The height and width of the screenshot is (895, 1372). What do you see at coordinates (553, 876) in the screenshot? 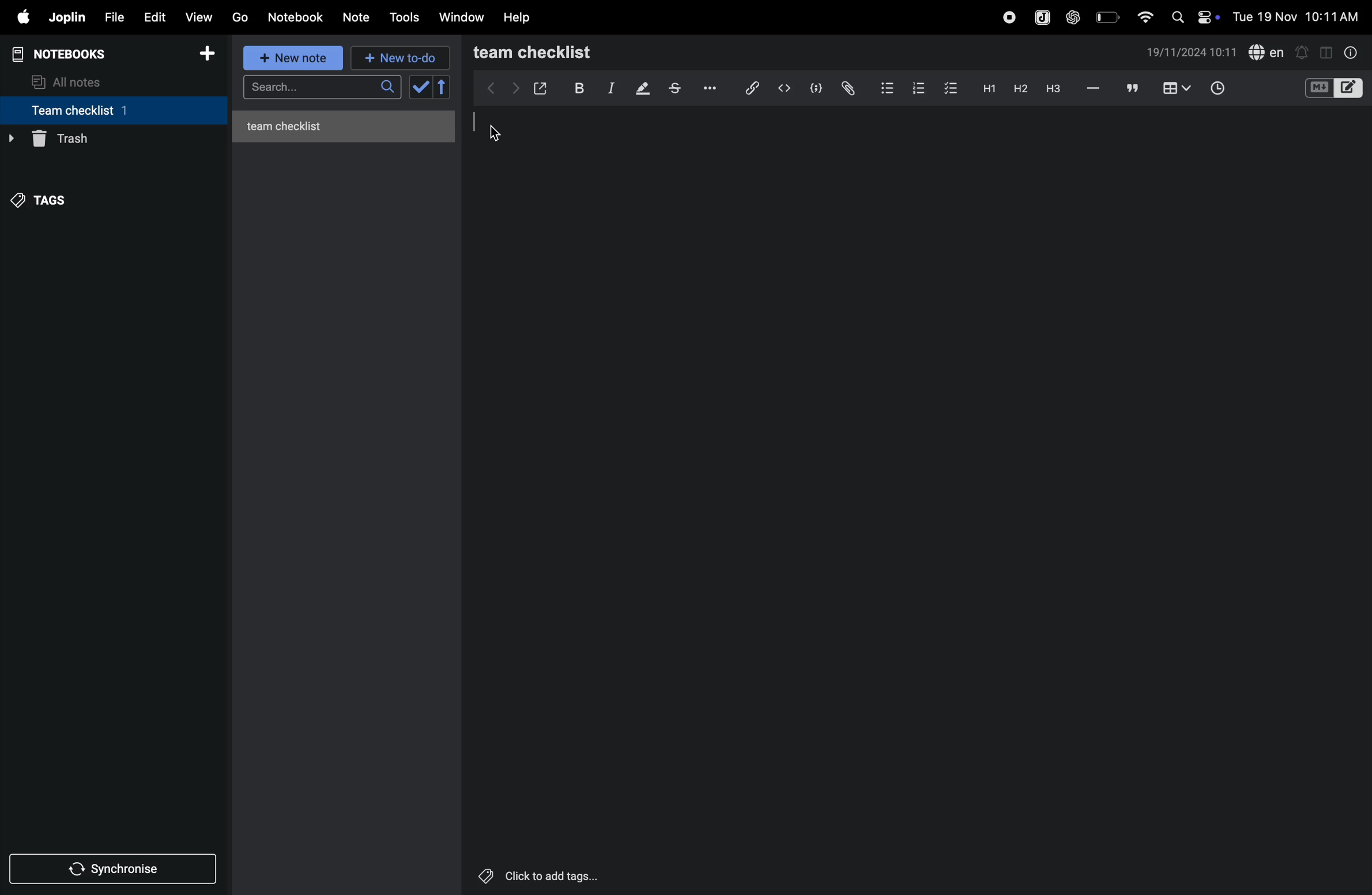
I see `` at bounding box center [553, 876].